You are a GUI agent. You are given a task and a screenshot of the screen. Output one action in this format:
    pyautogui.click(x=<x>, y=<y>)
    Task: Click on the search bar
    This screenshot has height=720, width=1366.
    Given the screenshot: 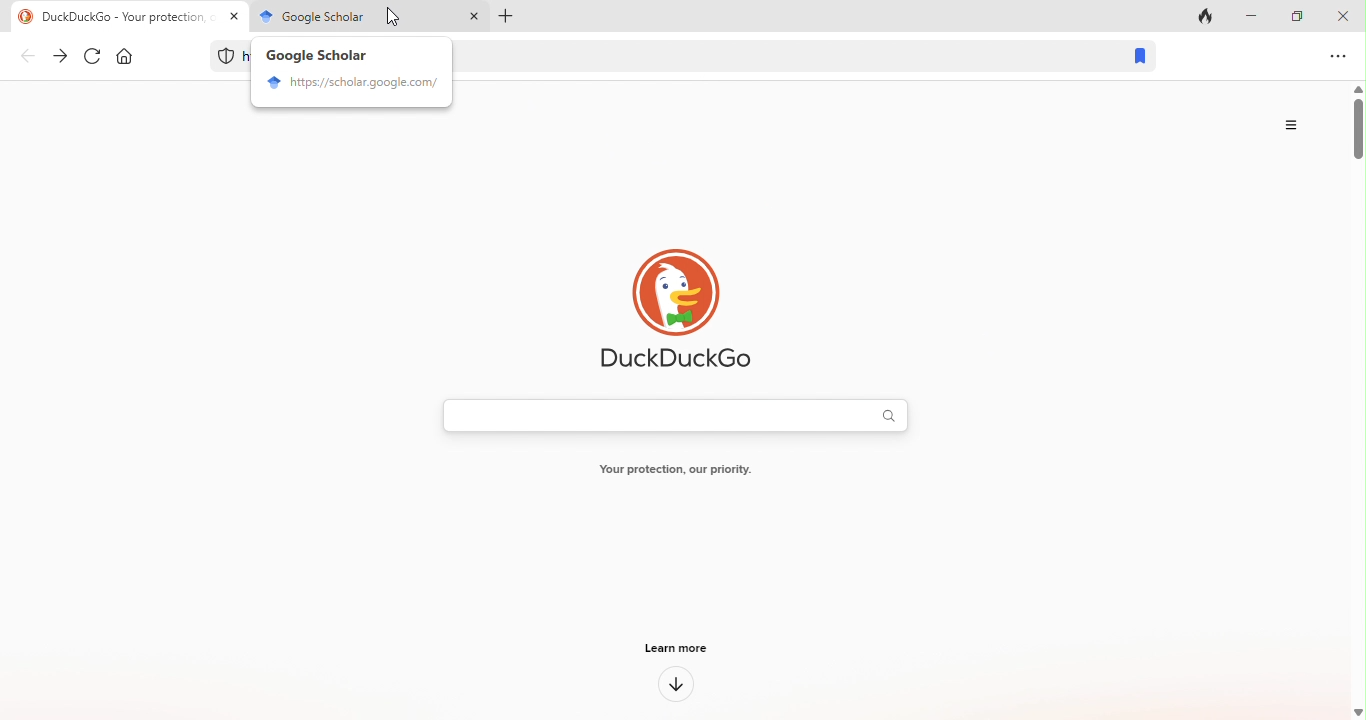 What is the action you would take?
    pyautogui.click(x=663, y=417)
    